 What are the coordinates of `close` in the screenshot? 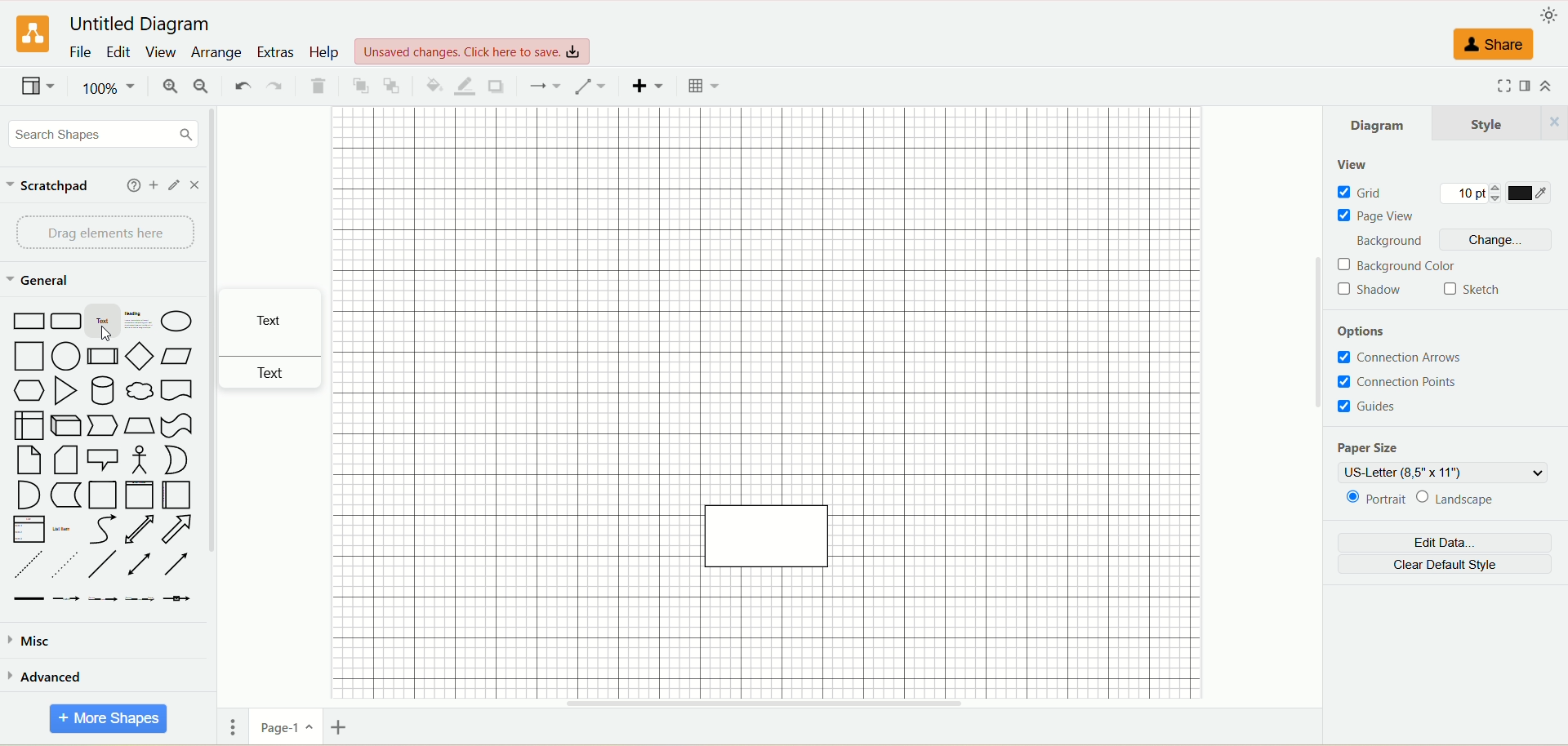 It's located at (198, 188).